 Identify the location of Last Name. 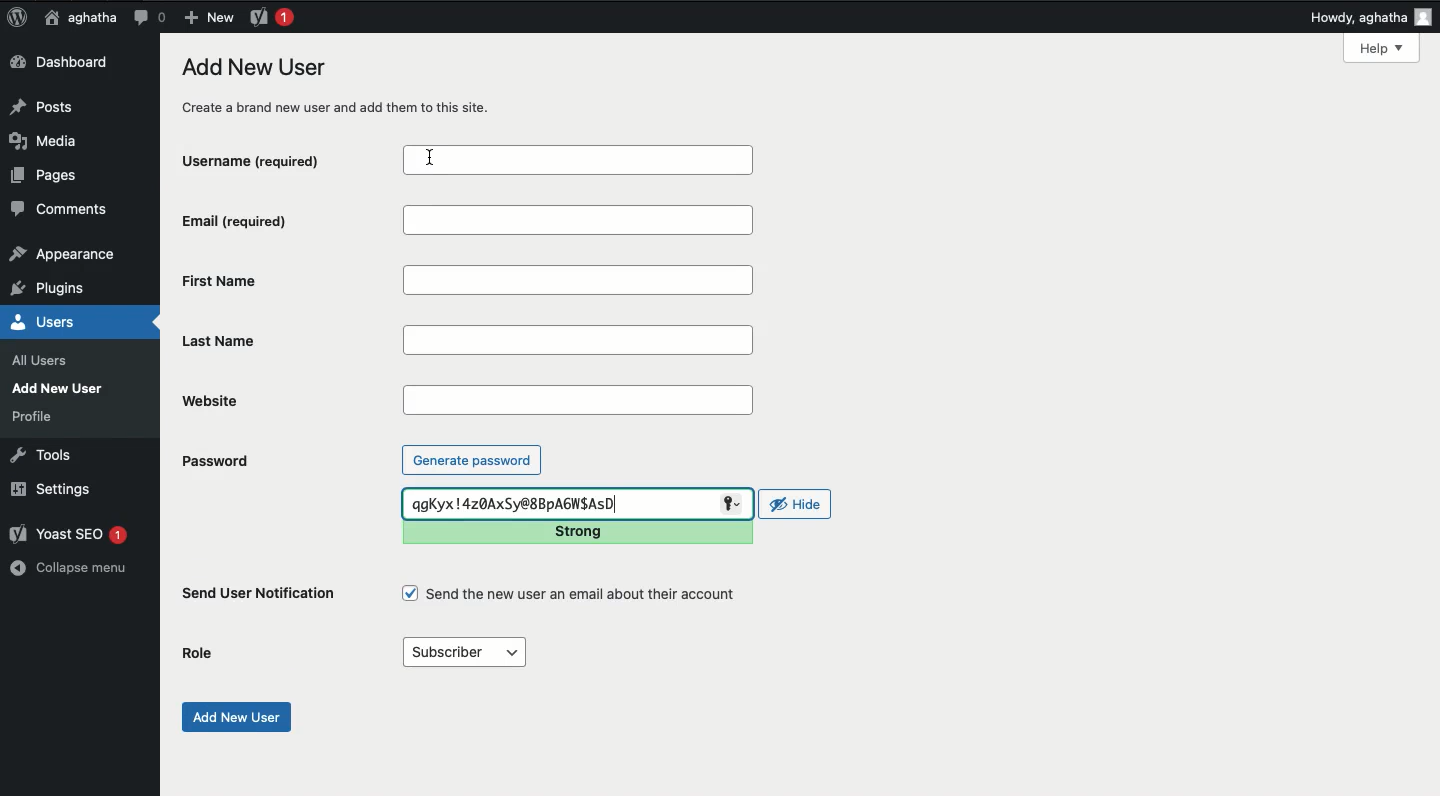
(580, 342).